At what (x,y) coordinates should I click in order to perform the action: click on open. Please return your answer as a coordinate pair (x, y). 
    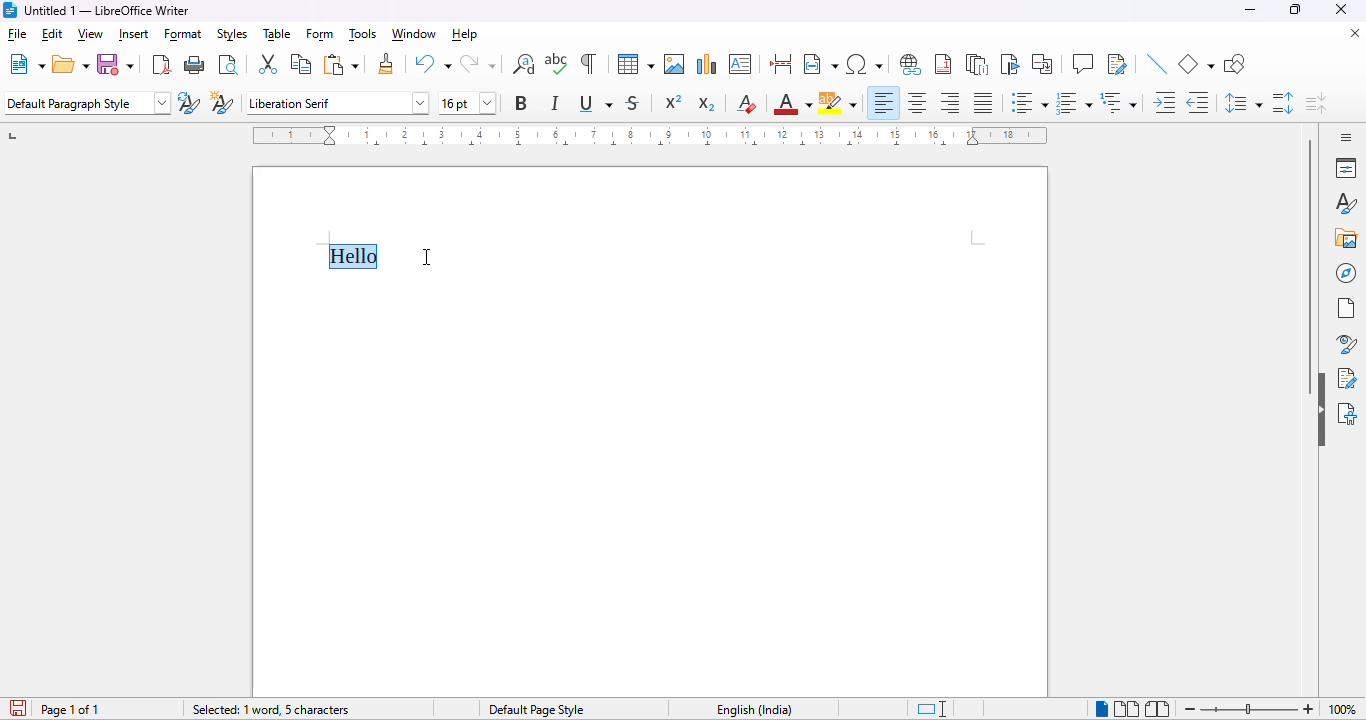
    Looking at the image, I should click on (70, 65).